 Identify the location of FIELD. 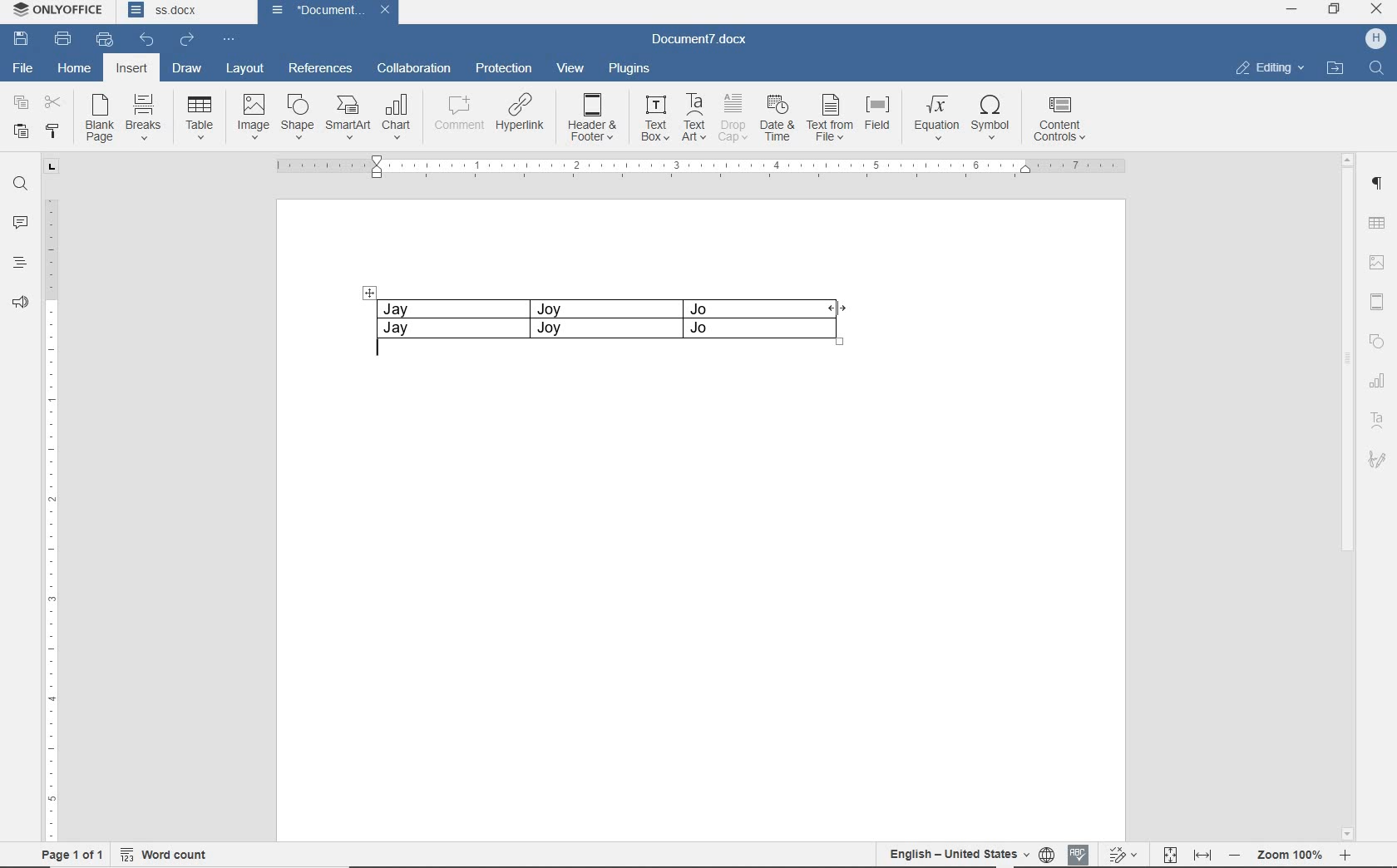
(876, 116).